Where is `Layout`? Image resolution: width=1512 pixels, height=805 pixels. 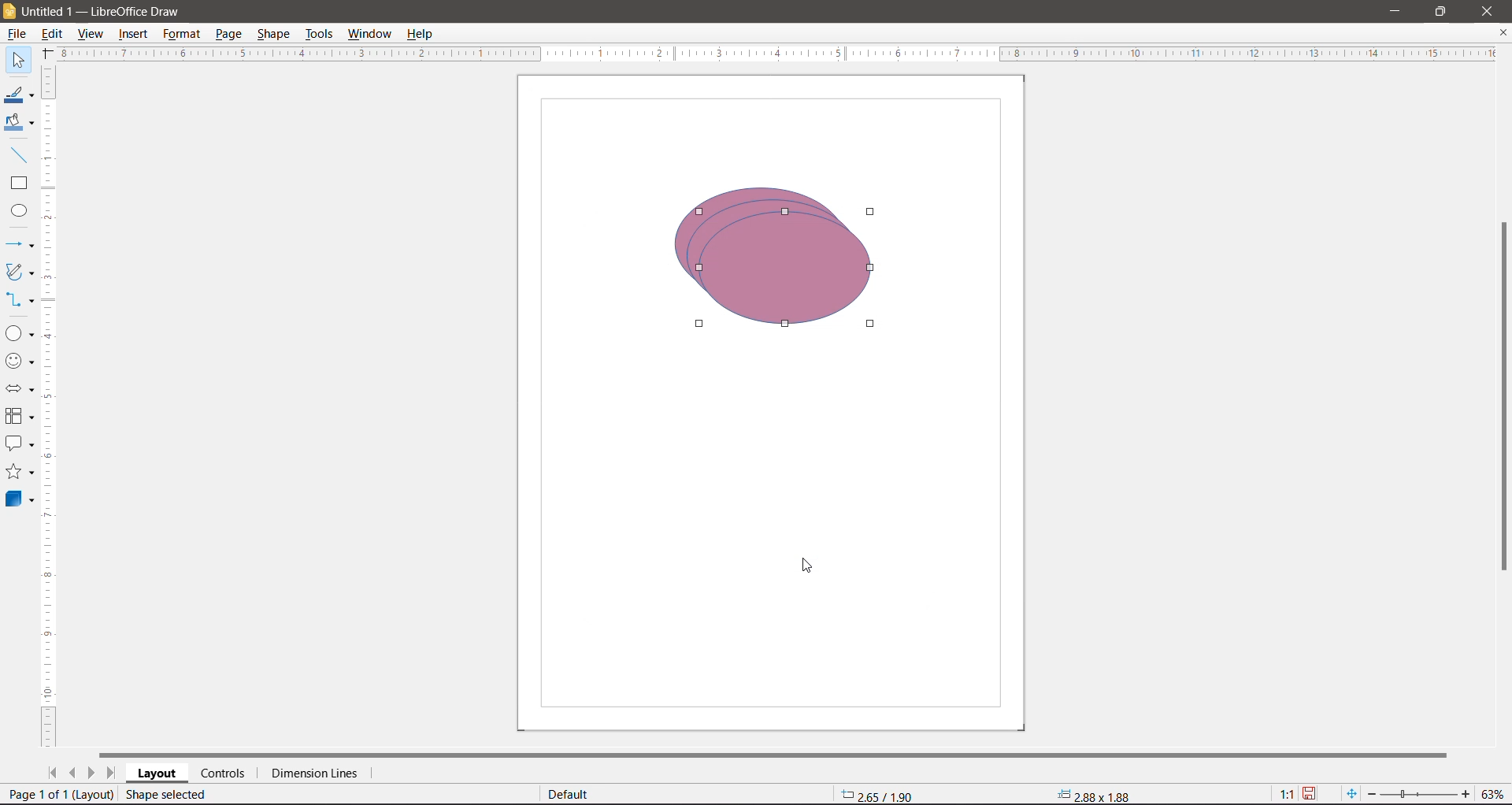
Layout is located at coordinates (157, 773).